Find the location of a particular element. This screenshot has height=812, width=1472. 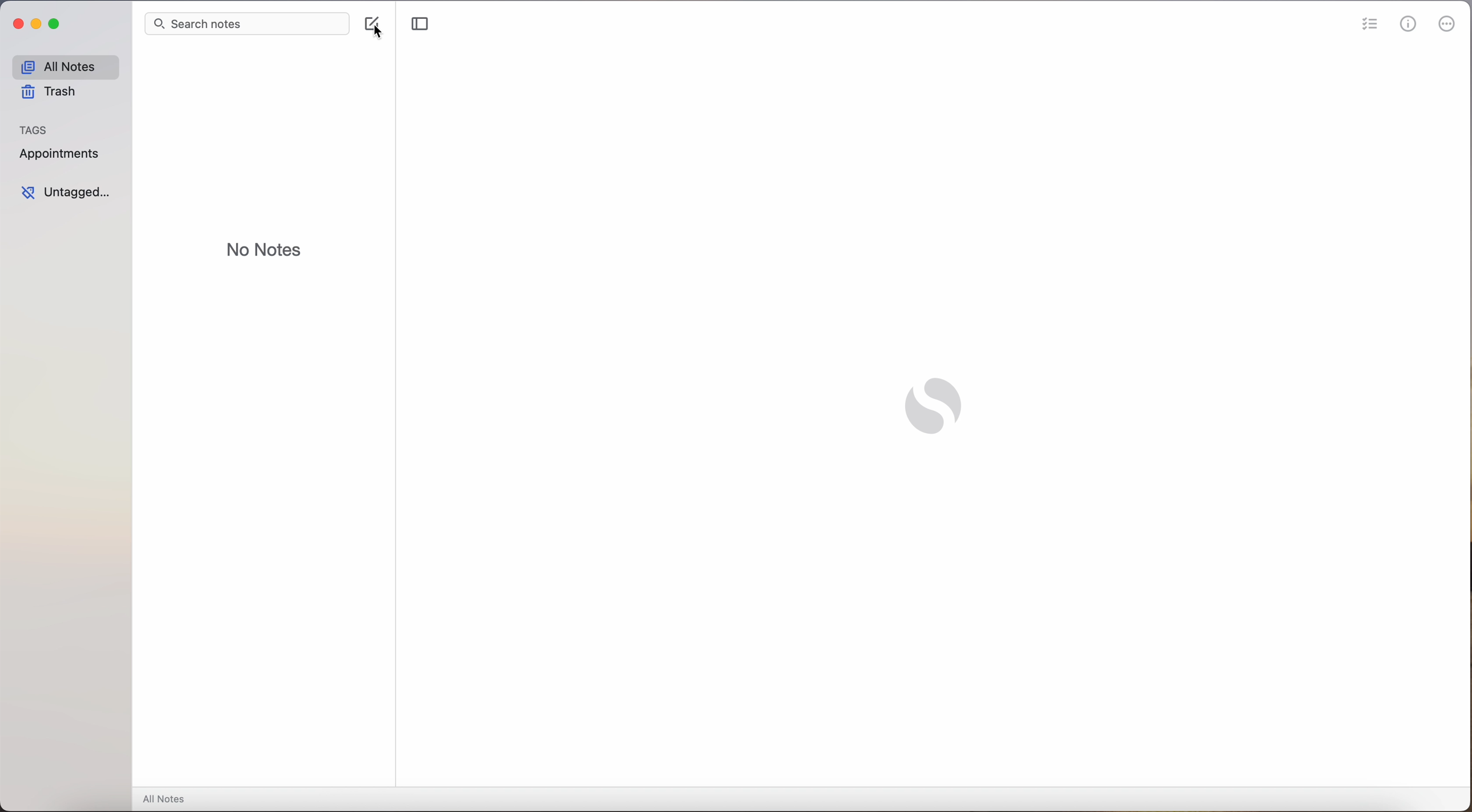

click on create note is located at coordinates (373, 28).